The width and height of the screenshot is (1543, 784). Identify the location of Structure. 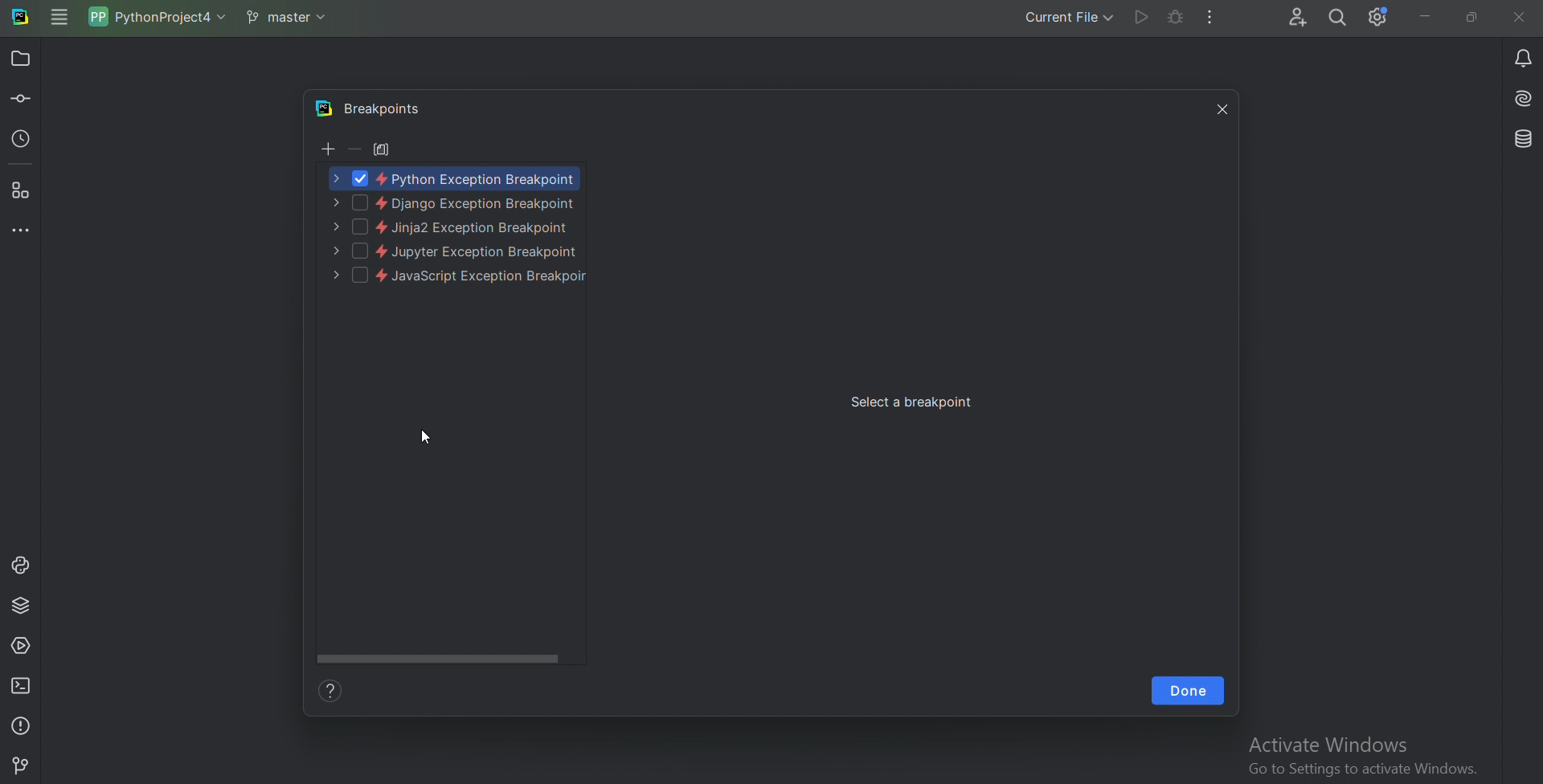
(23, 192).